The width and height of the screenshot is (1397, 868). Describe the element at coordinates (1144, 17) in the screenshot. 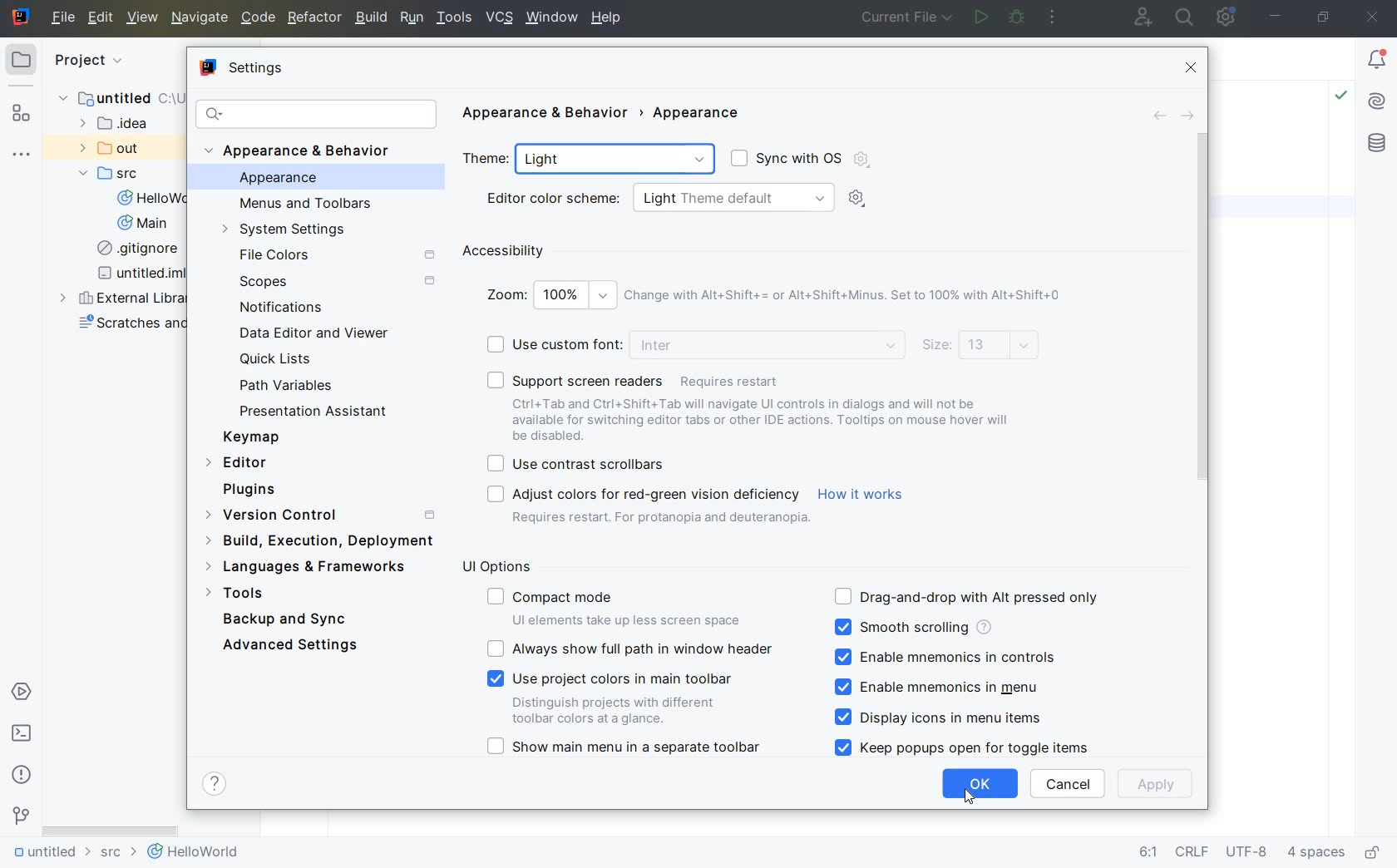

I see `CODE WITH ME` at that location.